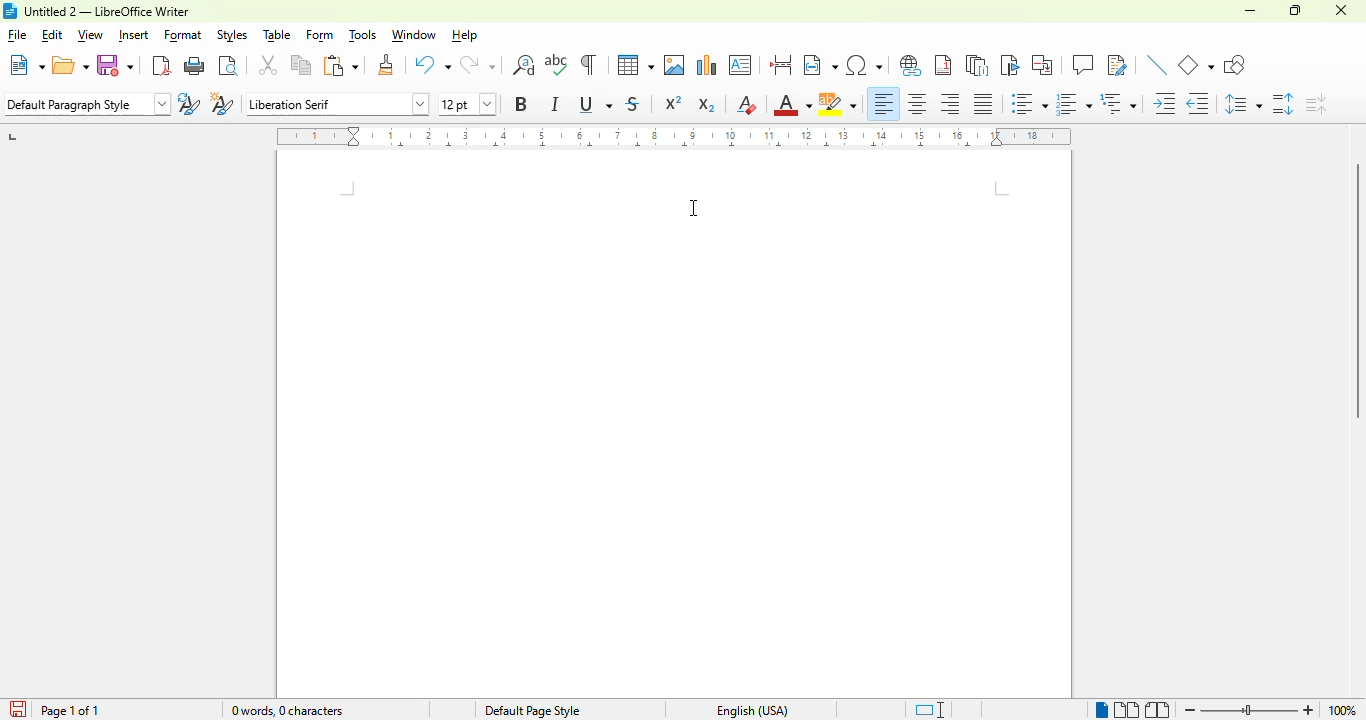 The image size is (1366, 720). Describe the element at coordinates (692, 208) in the screenshot. I see `cursor` at that location.